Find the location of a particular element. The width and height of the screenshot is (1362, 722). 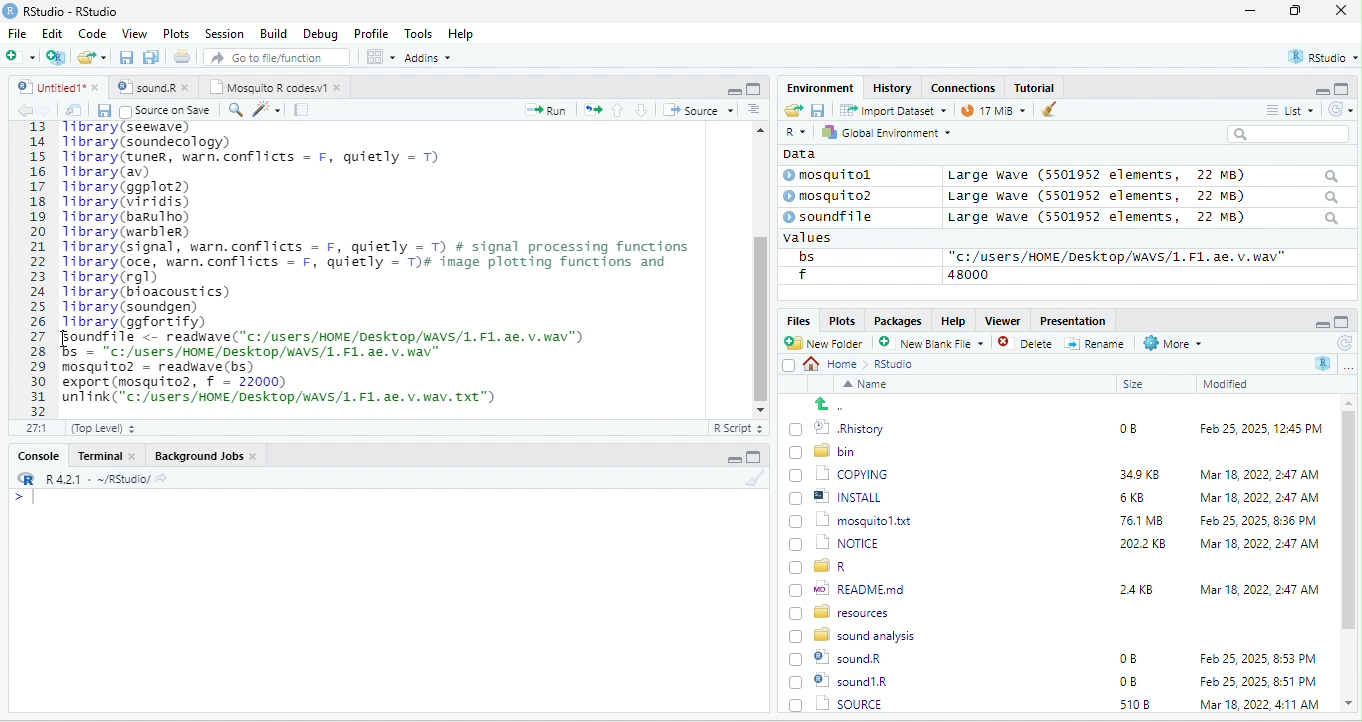

brush is located at coordinates (1044, 111).